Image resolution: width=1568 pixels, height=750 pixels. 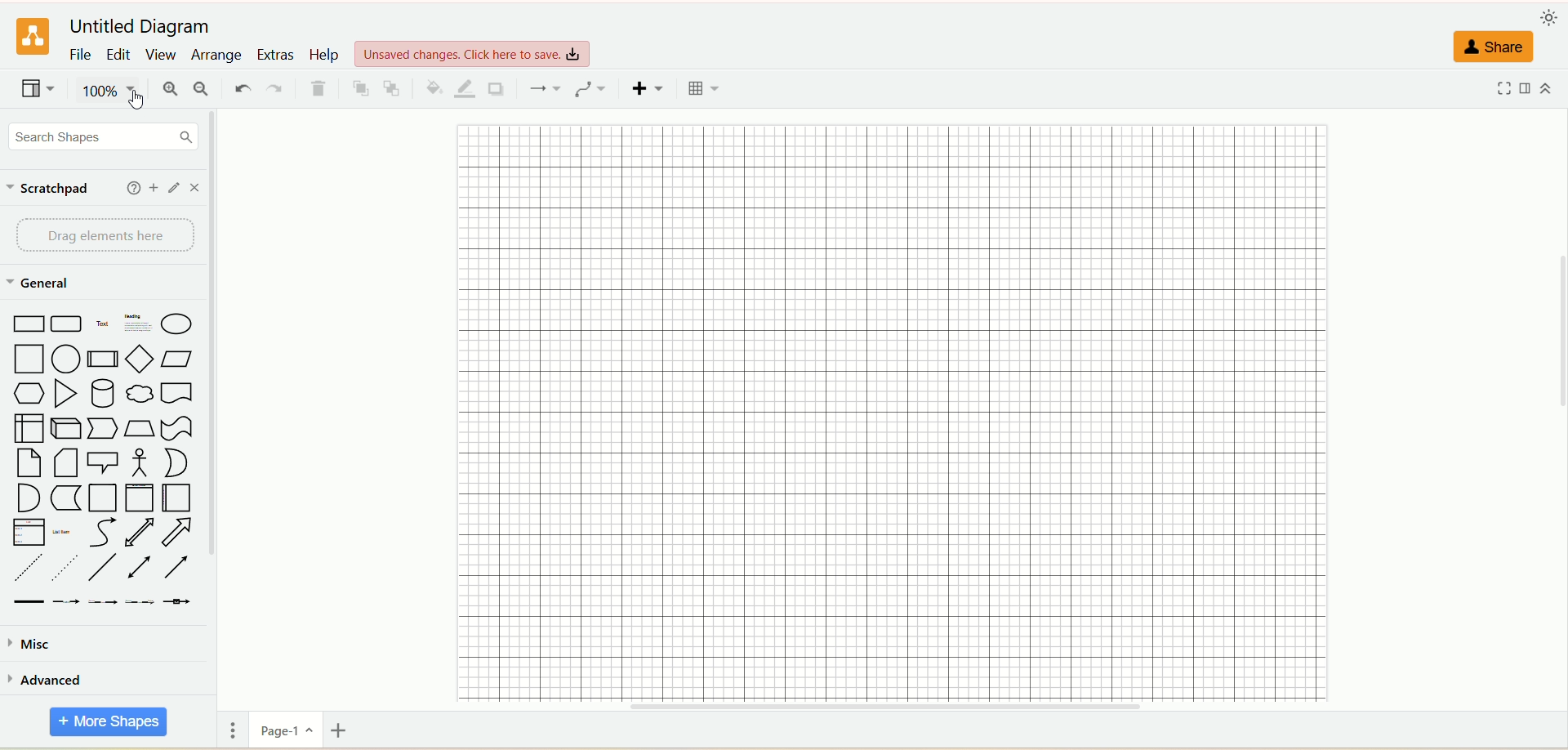 I want to click on general, so click(x=51, y=285).